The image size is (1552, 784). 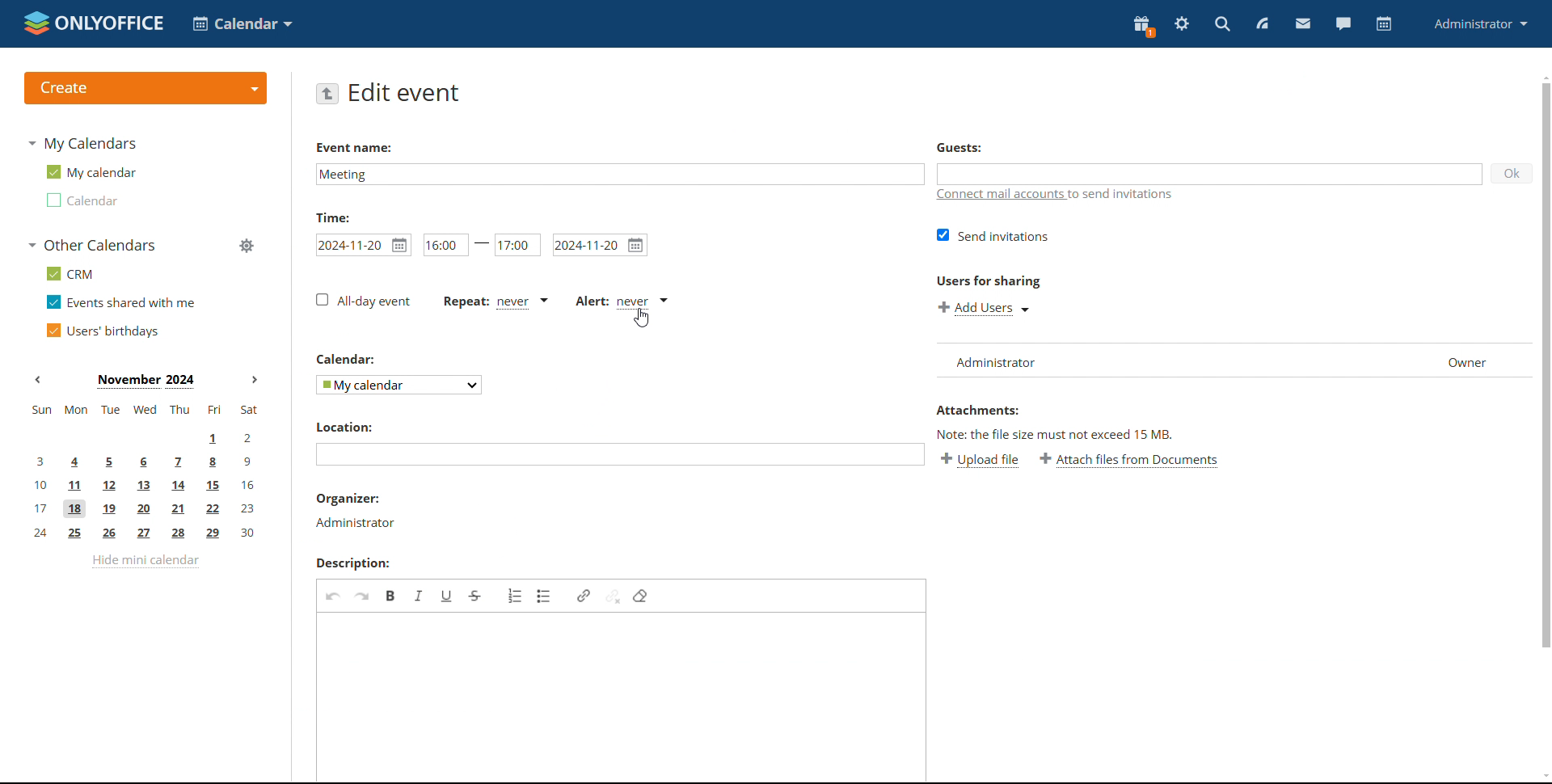 I want to click on go back, so click(x=327, y=94).